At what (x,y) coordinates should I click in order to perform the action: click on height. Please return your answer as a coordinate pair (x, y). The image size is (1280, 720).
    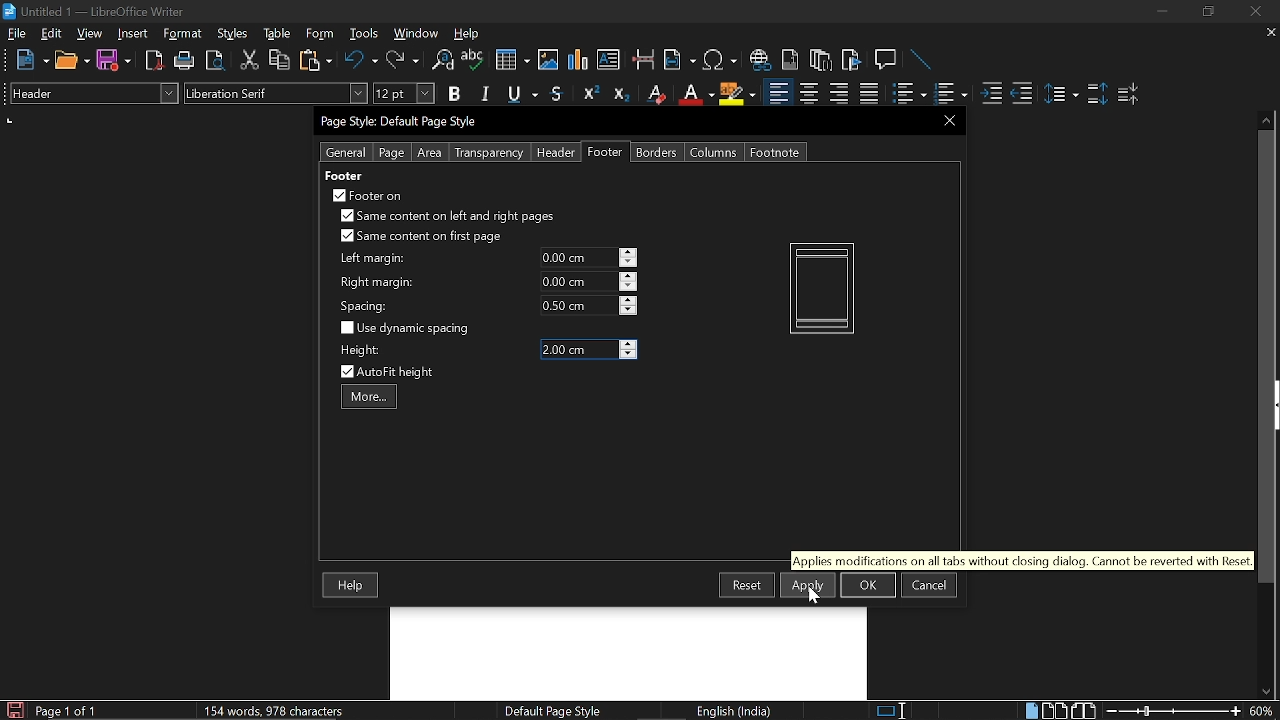
    Looking at the image, I should click on (362, 351).